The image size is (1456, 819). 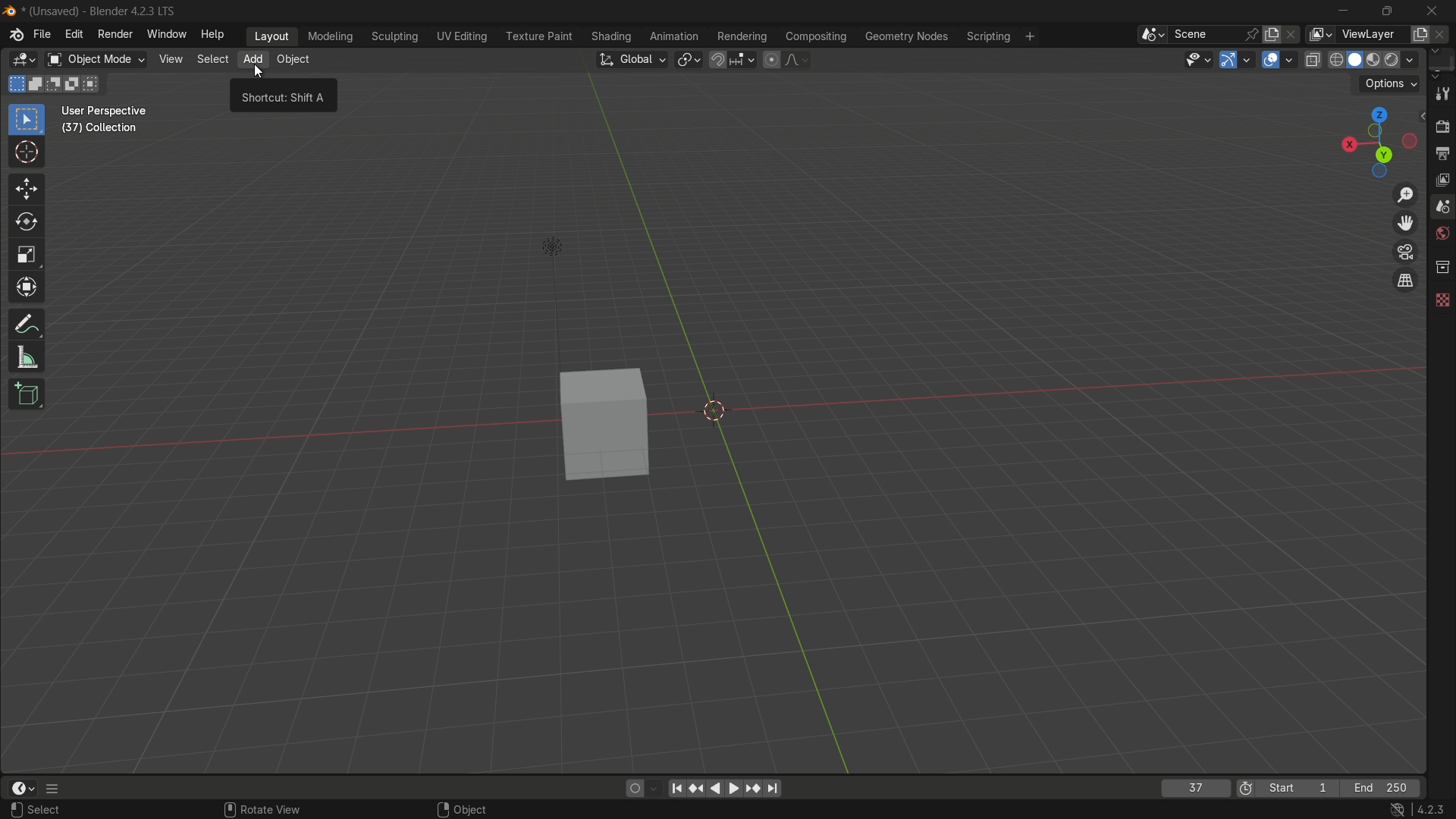 I want to click on sculpting menu, so click(x=397, y=36).